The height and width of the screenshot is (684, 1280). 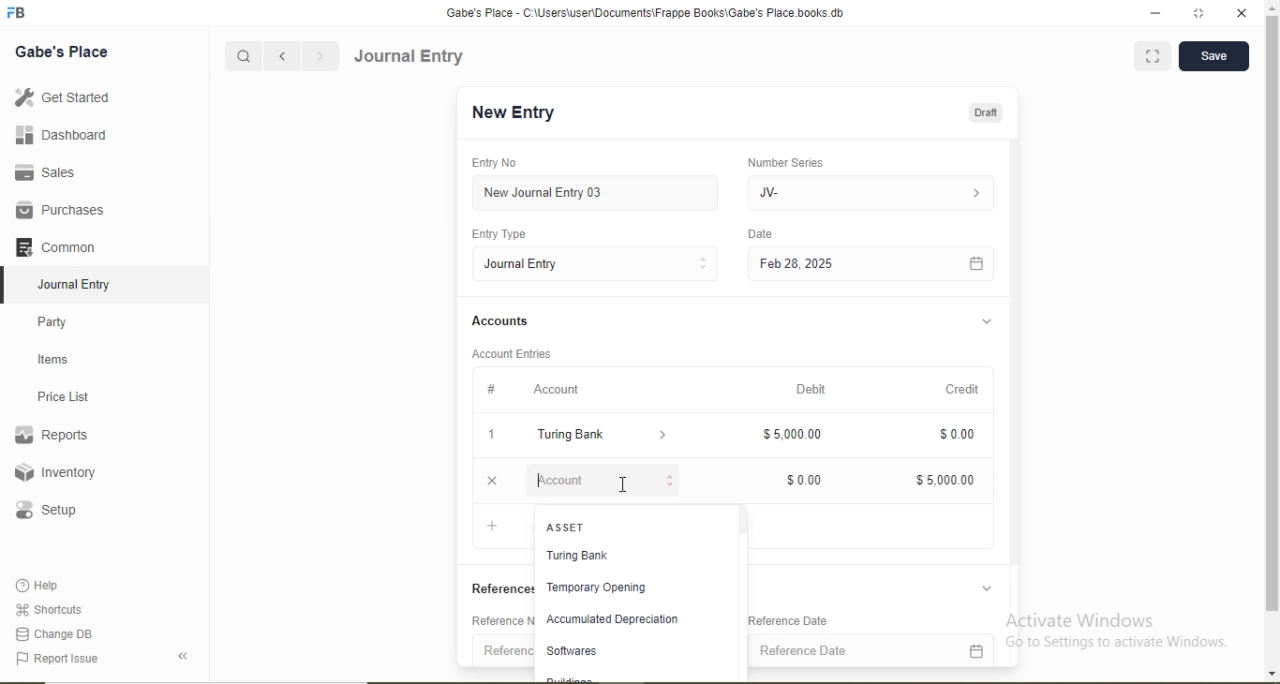 What do you see at coordinates (503, 234) in the screenshot?
I see `Entry Type` at bounding box center [503, 234].